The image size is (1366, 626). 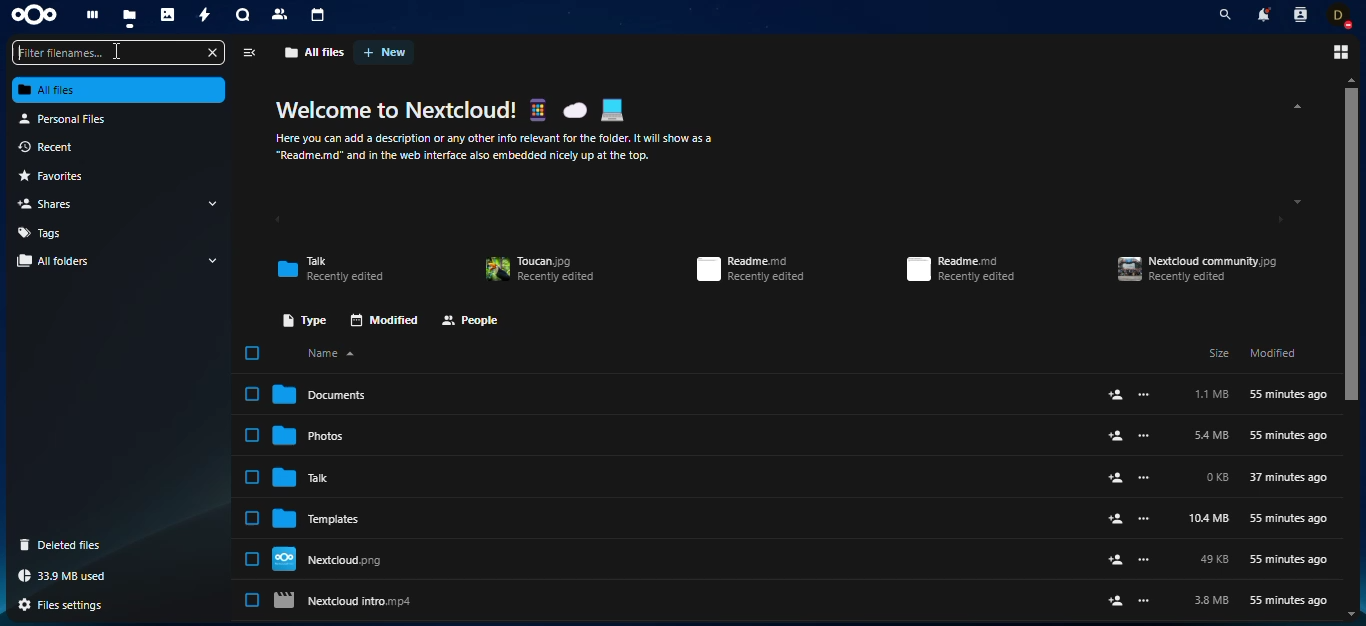 I want to click on Nextdloud.png, so click(x=682, y=558).